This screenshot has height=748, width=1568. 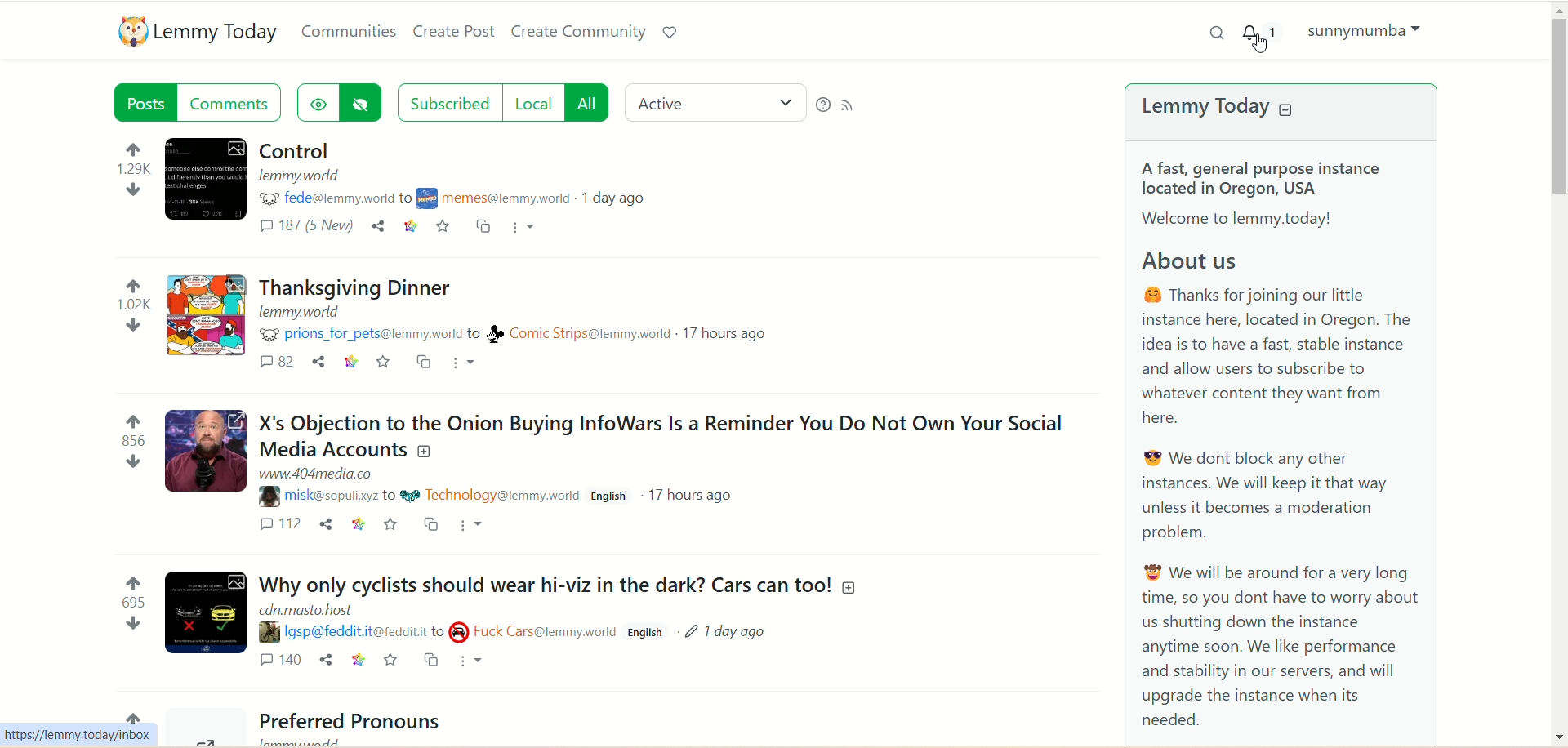 What do you see at coordinates (1286, 451) in the screenshot?
I see `A brief about the Lemmy Today` at bounding box center [1286, 451].